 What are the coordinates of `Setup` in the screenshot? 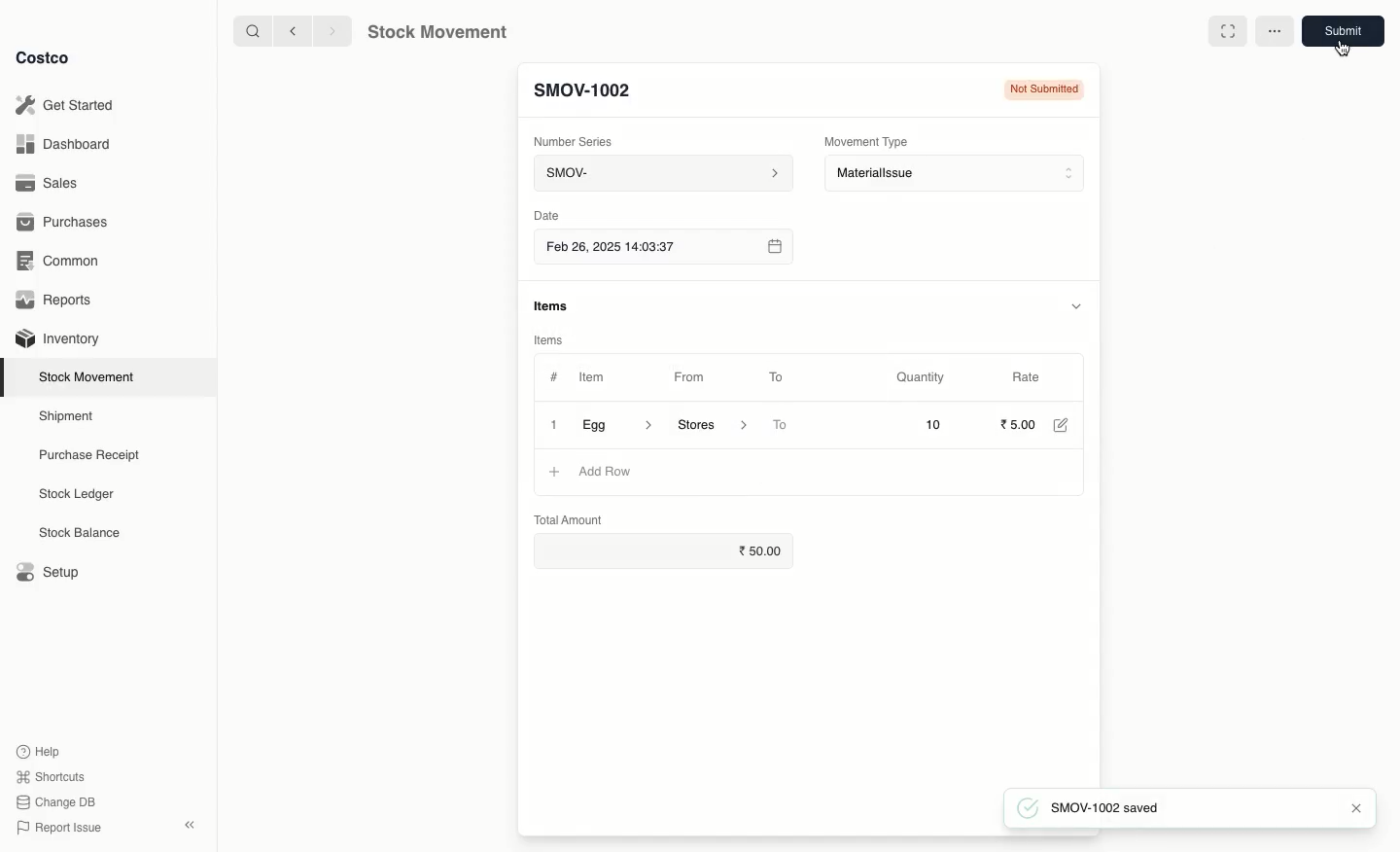 It's located at (46, 570).